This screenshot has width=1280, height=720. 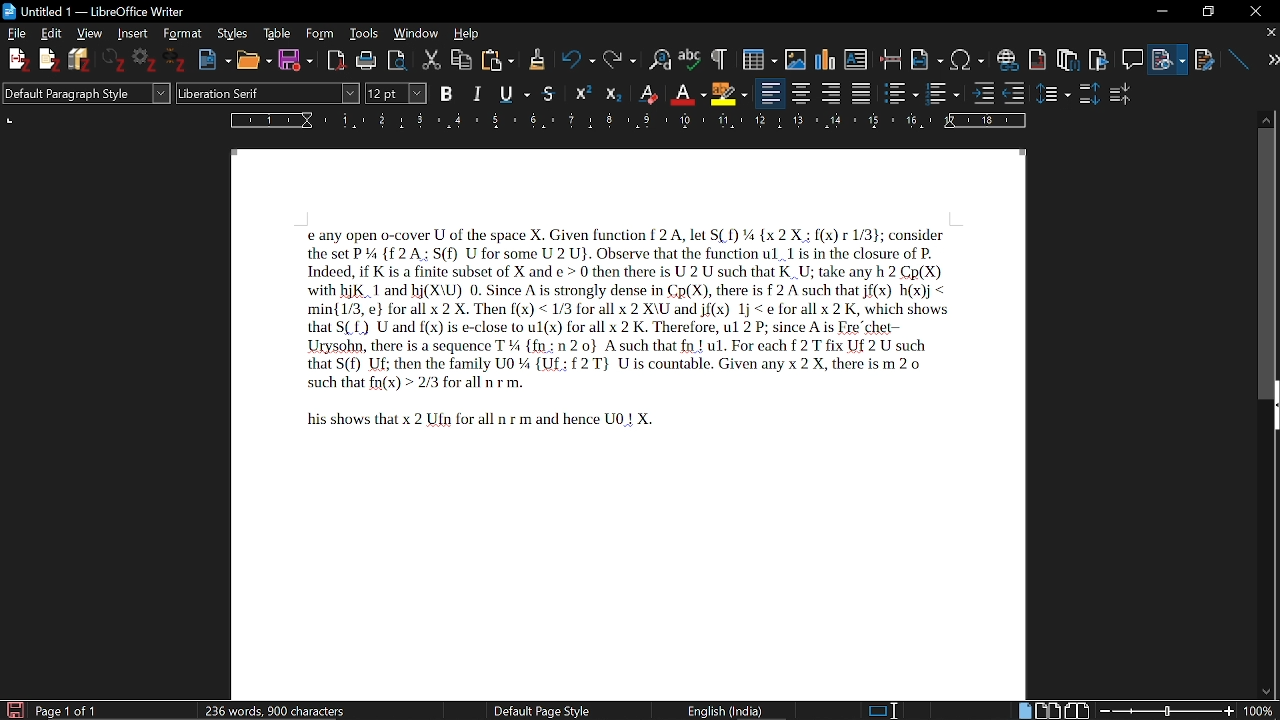 I want to click on Format, so click(x=180, y=33).